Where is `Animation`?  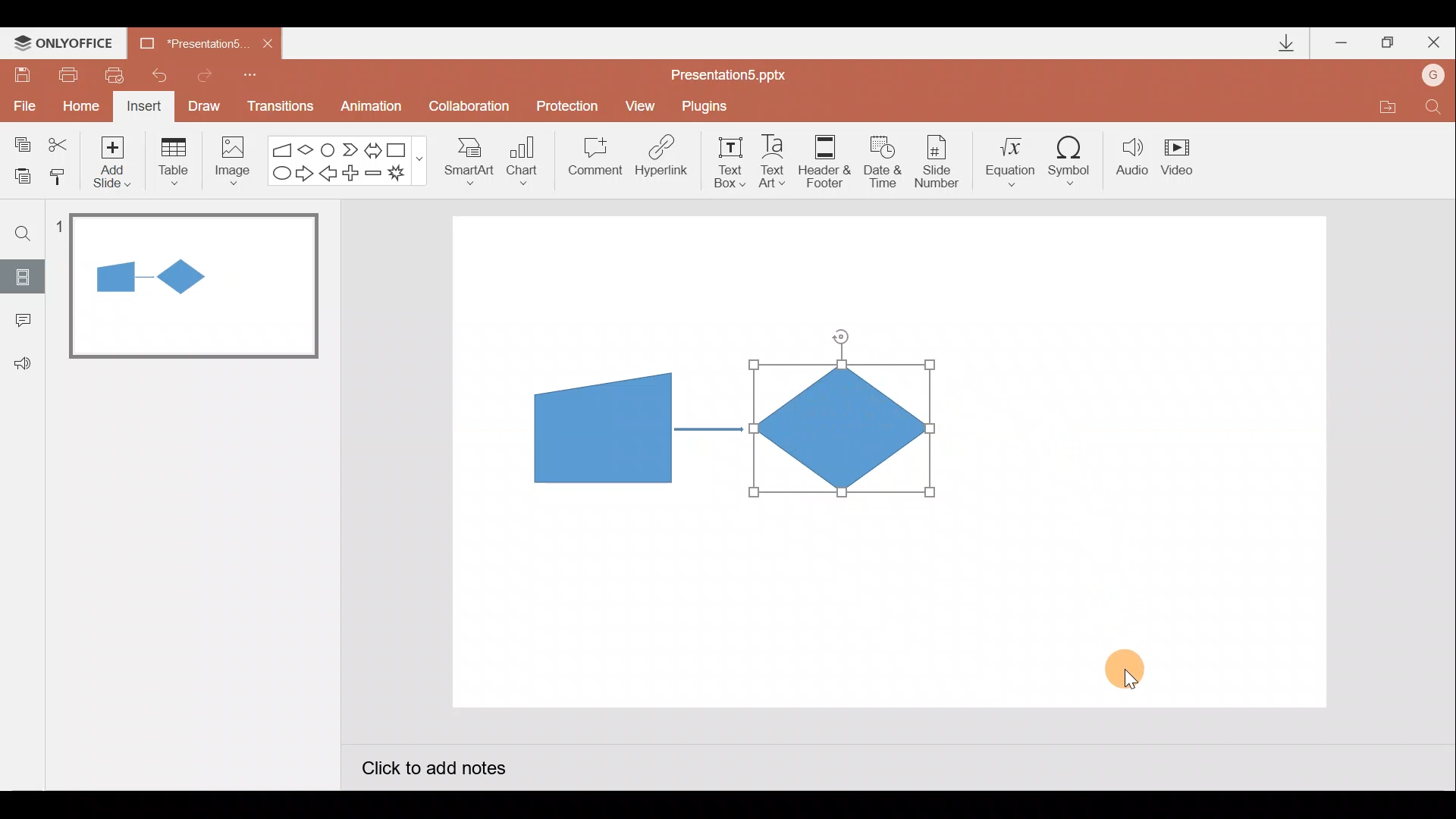 Animation is located at coordinates (373, 108).